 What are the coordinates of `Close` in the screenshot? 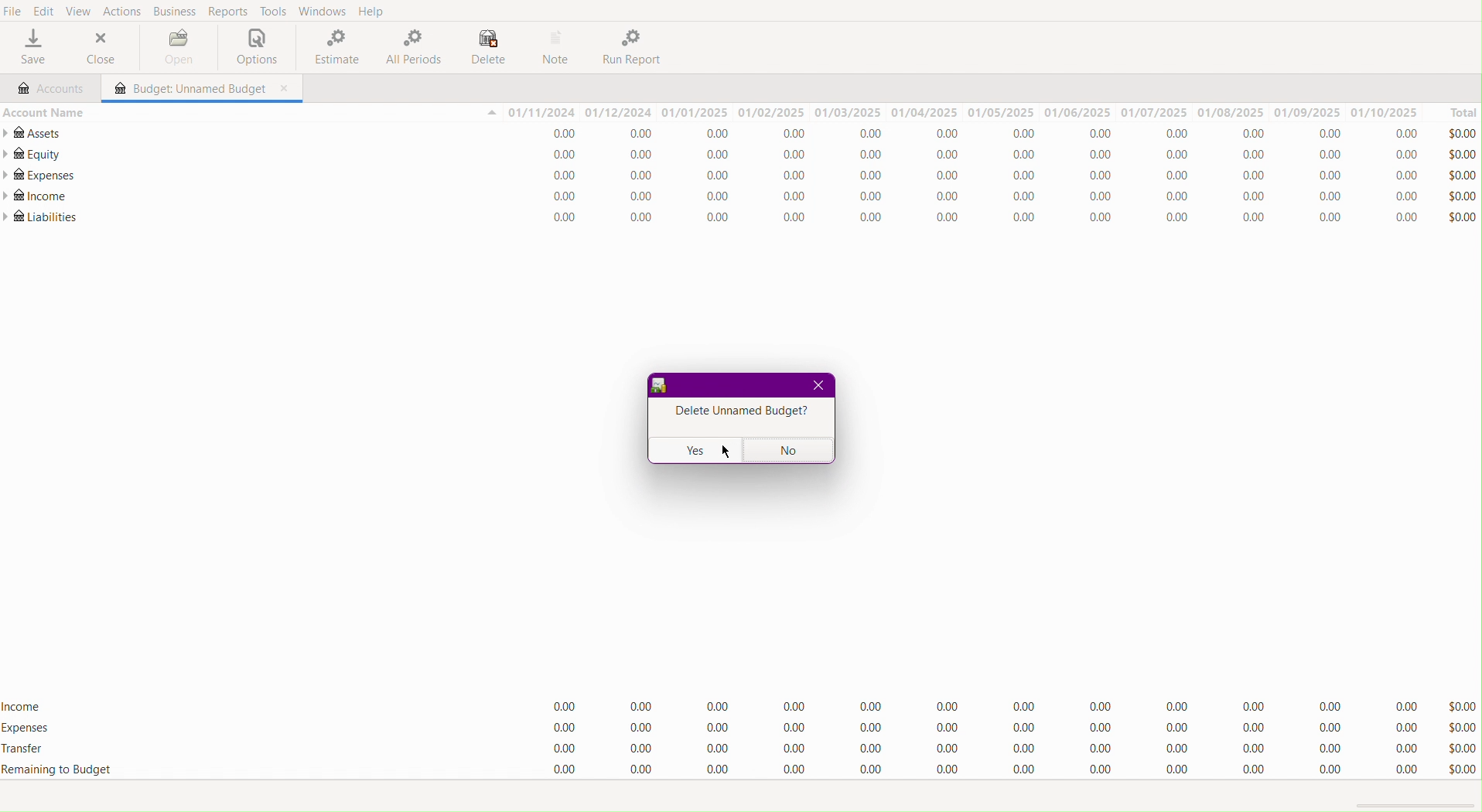 It's located at (818, 387).